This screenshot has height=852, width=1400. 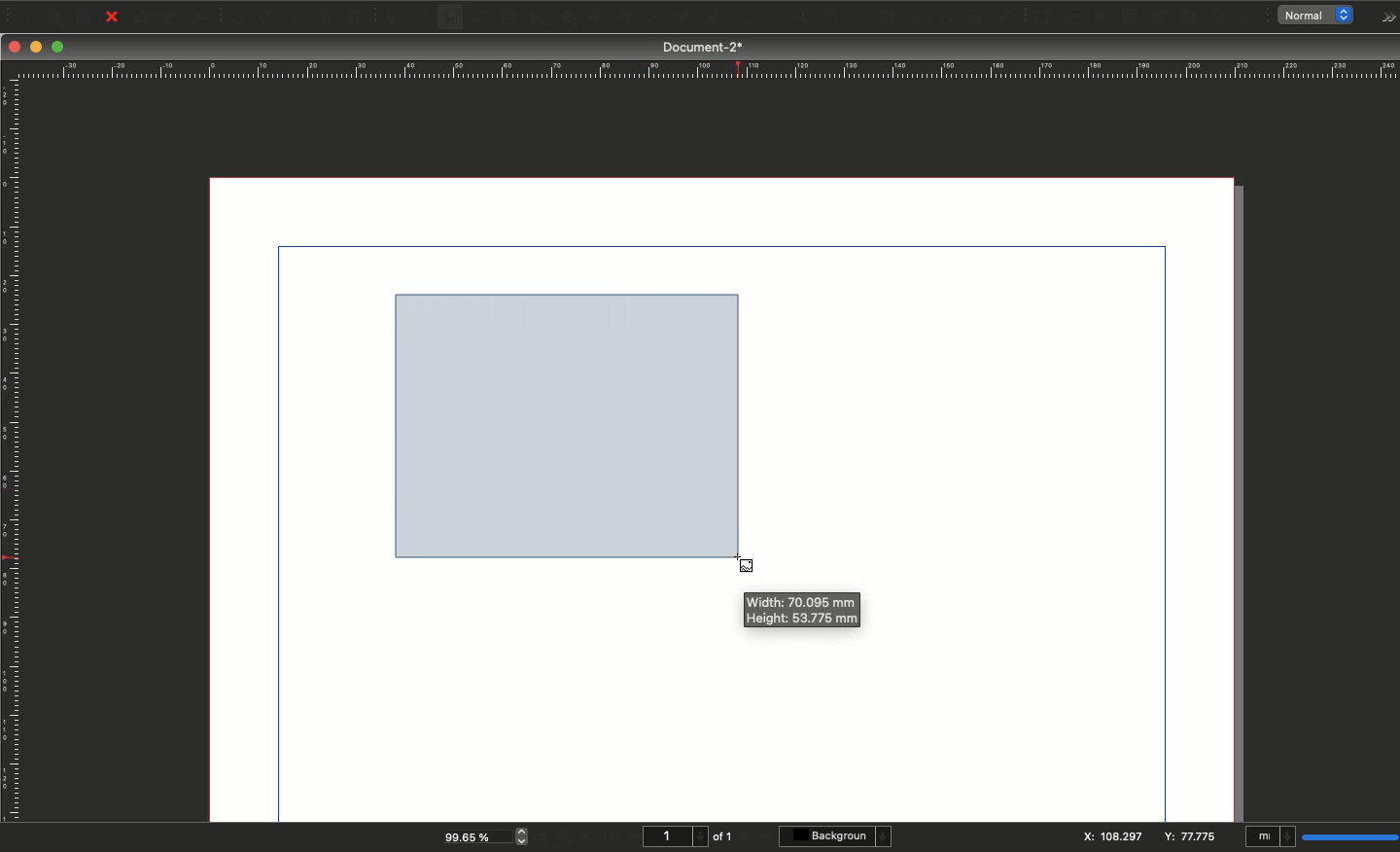 What do you see at coordinates (1220, 18) in the screenshot?
I see `Text annotation` at bounding box center [1220, 18].